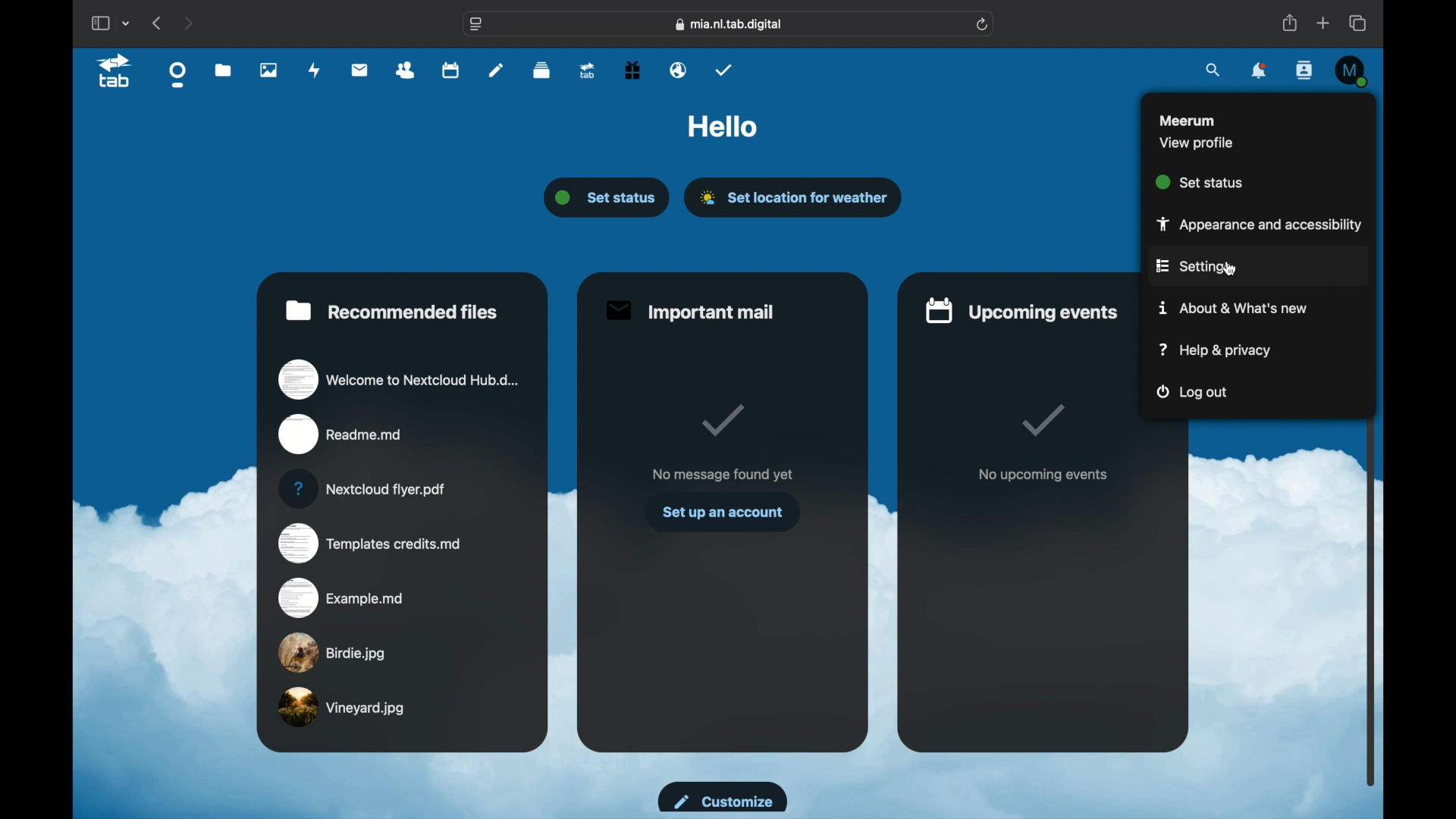  Describe the element at coordinates (332, 652) in the screenshot. I see `birdie` at that location.